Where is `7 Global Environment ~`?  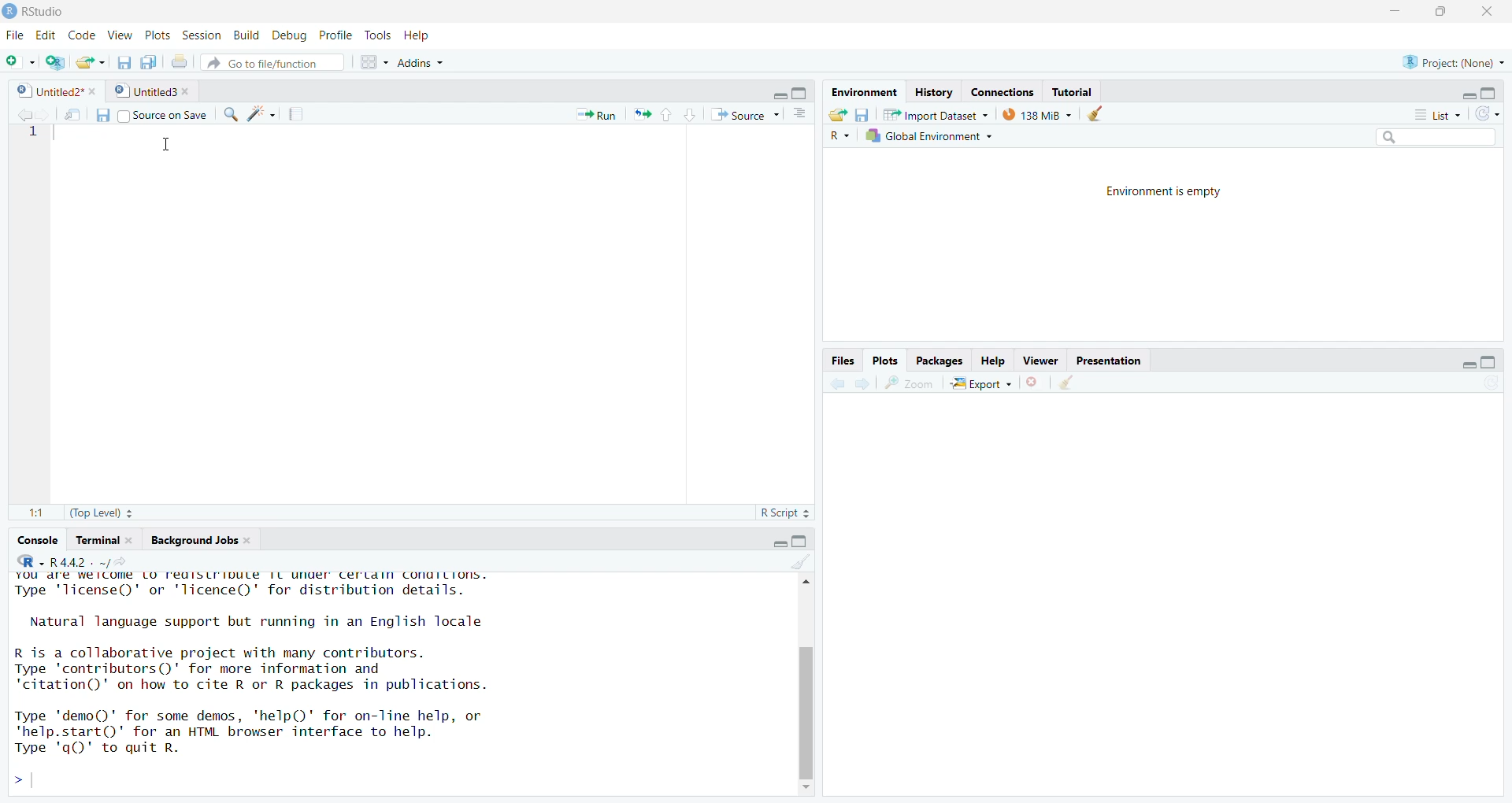
7 Global Environment ~ is located at coordinates (932, 135).